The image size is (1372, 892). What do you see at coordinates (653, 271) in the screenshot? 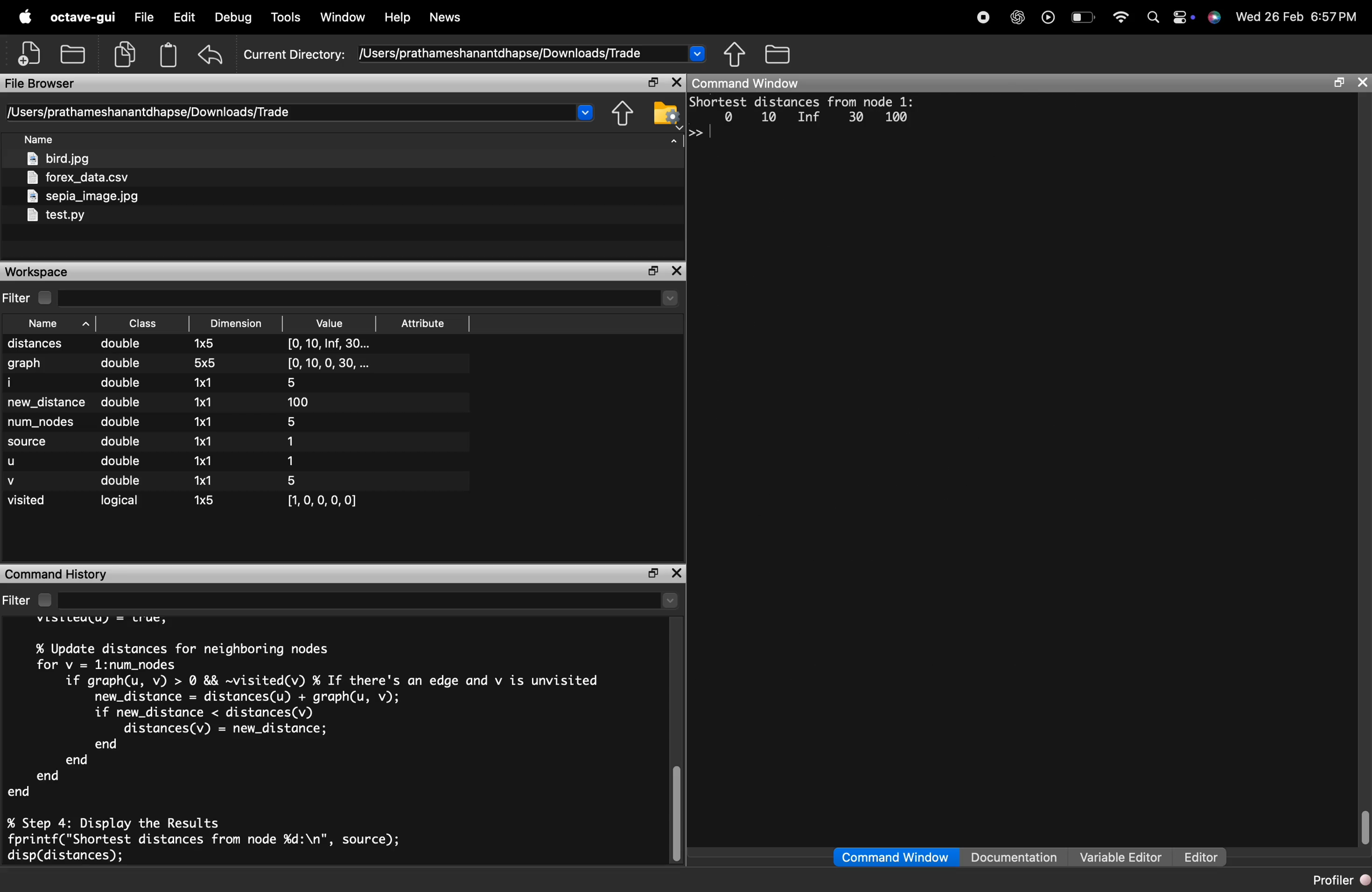
I see `maximize` at bounding box center [653, 271].